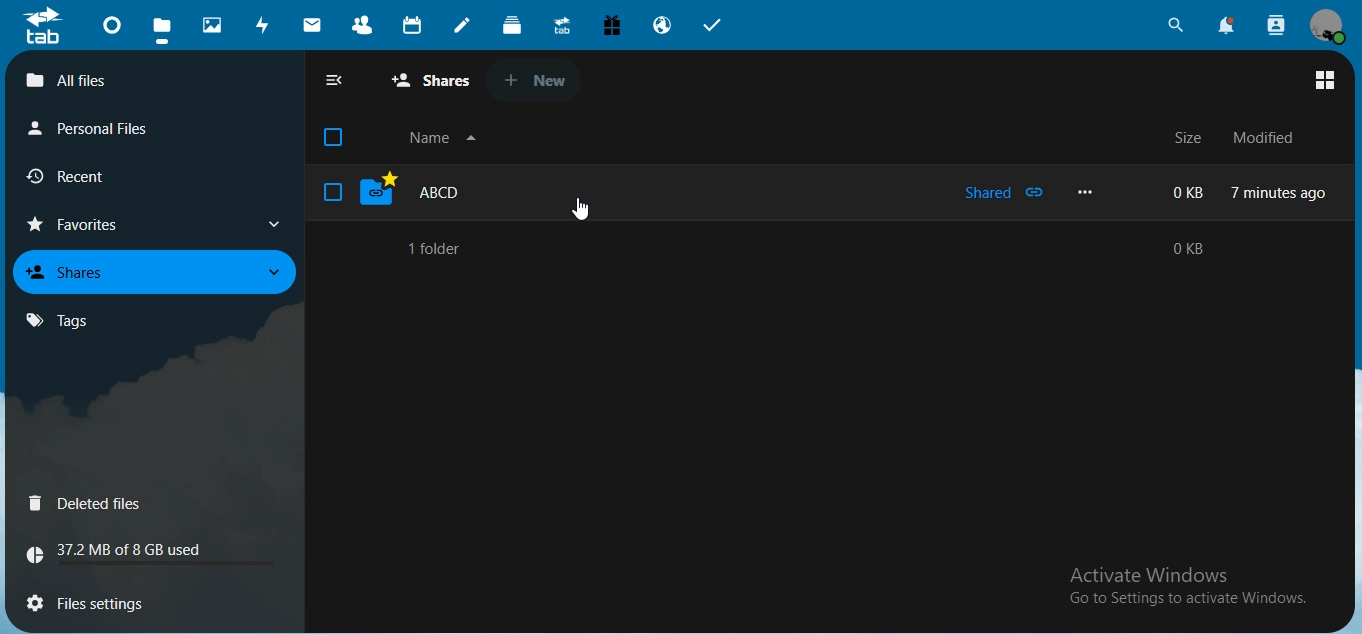 This screenshot has width=1362, height=634. Describe the element at coordinates (477, 195) in the screenshot. I see `ABC` at that location.